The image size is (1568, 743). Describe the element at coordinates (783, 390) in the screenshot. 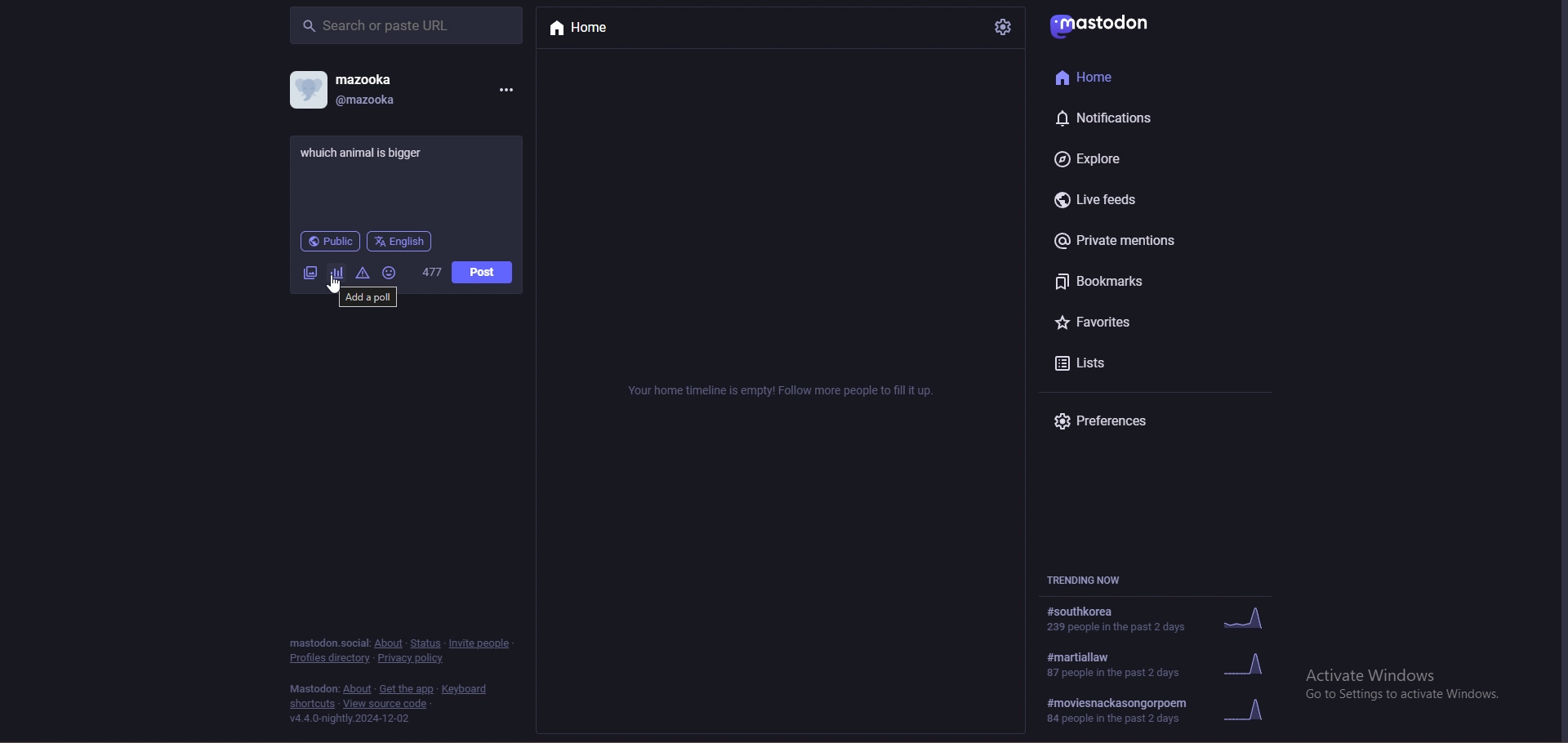

I see `info` at that location.